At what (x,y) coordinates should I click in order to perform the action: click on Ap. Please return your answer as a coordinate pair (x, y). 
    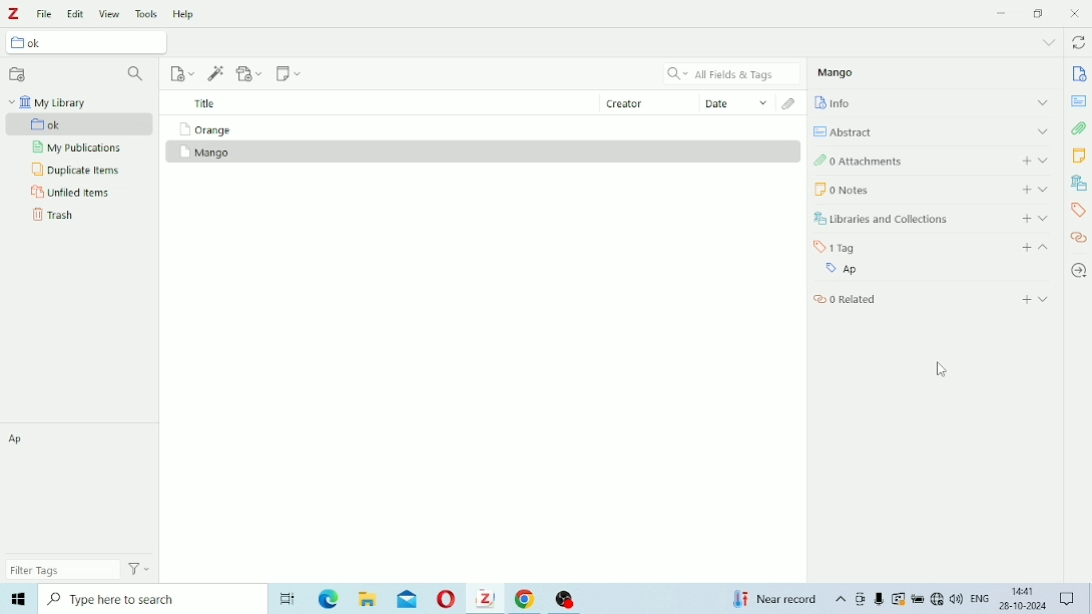
    Looking at the image, I should click on (929, 271).